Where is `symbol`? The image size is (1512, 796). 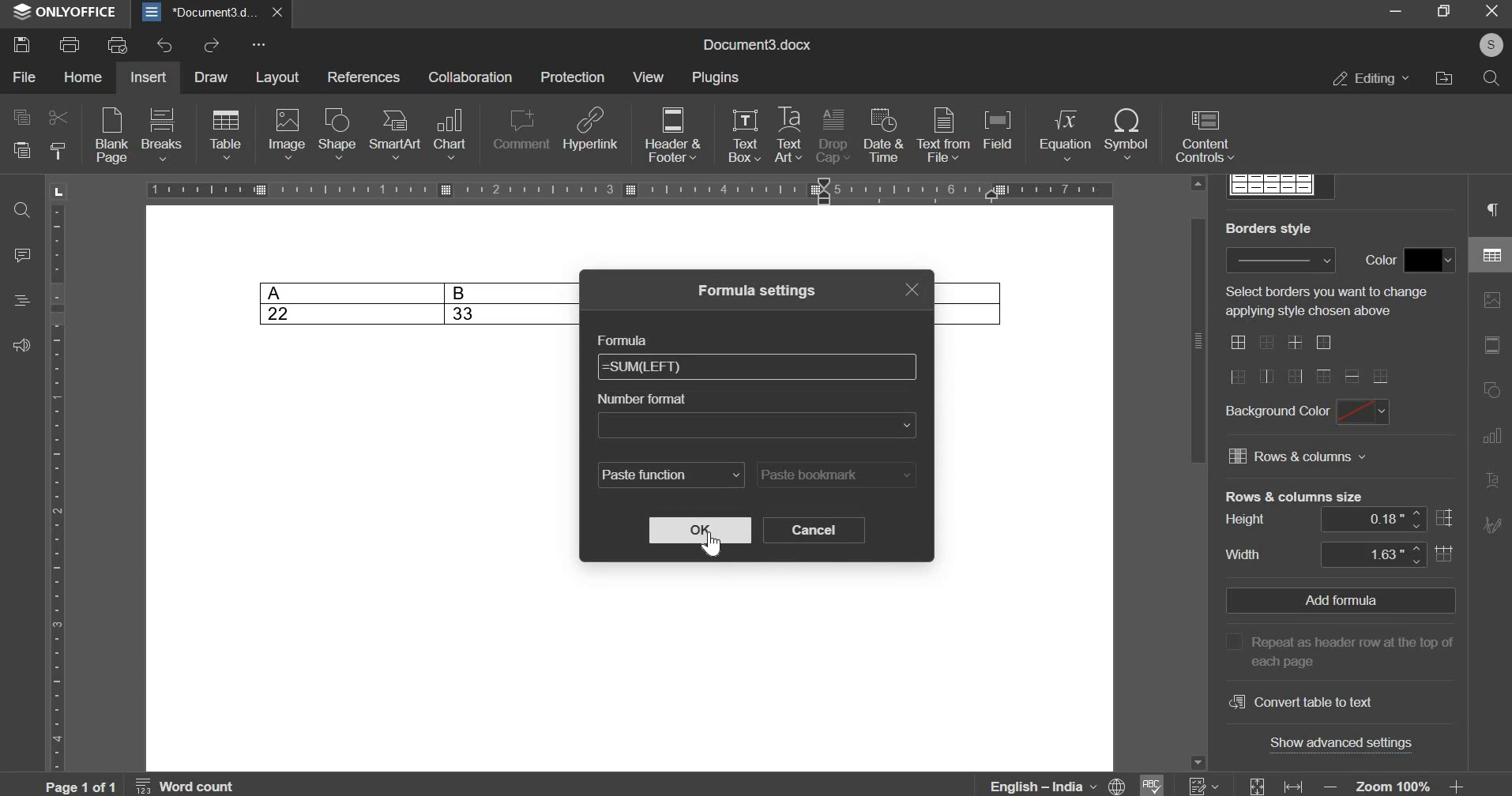 symbol is located at coordinates (1127, 134).